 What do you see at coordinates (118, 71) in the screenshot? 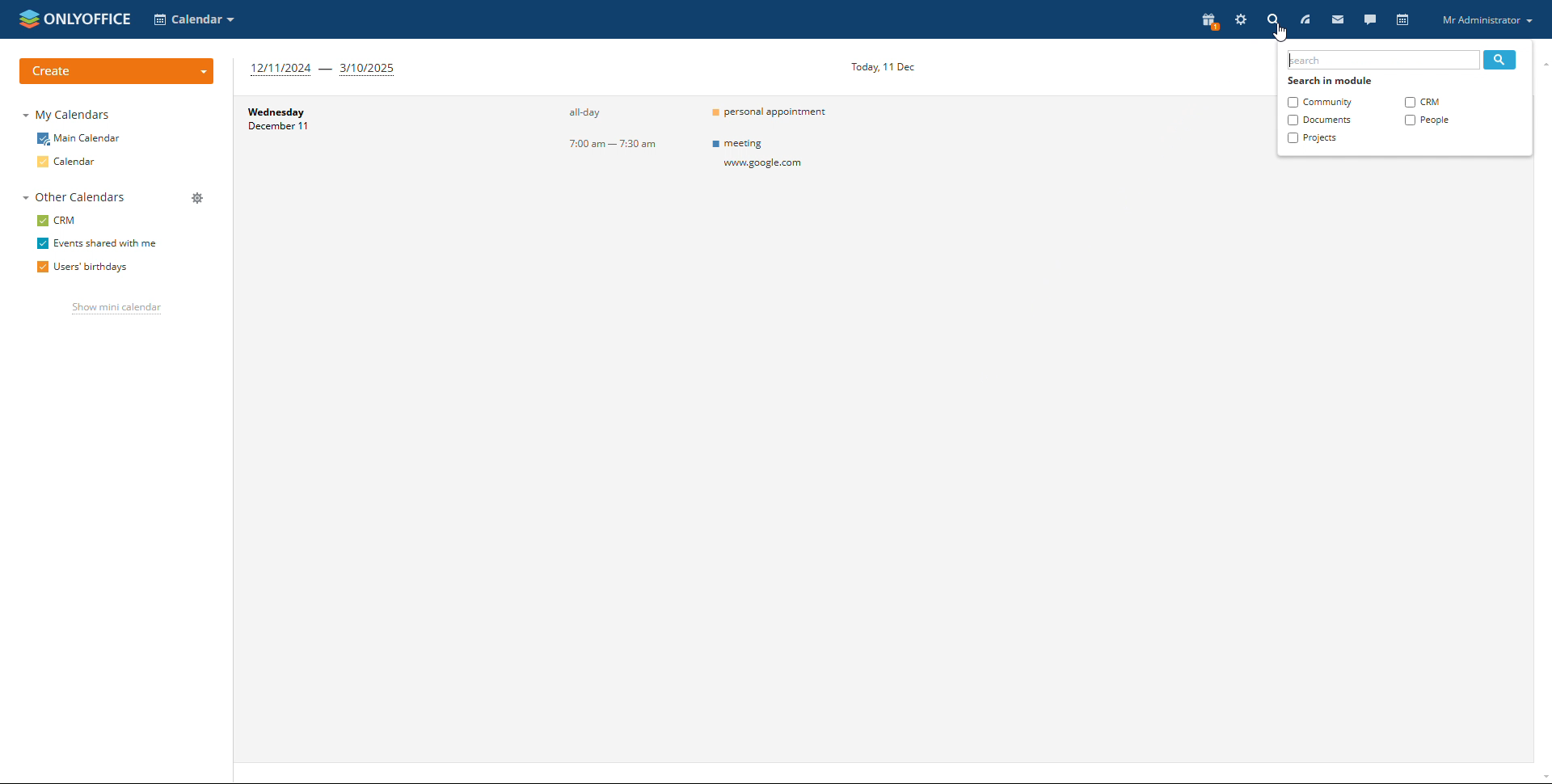
I see `create` at bounding box center [118, 71].